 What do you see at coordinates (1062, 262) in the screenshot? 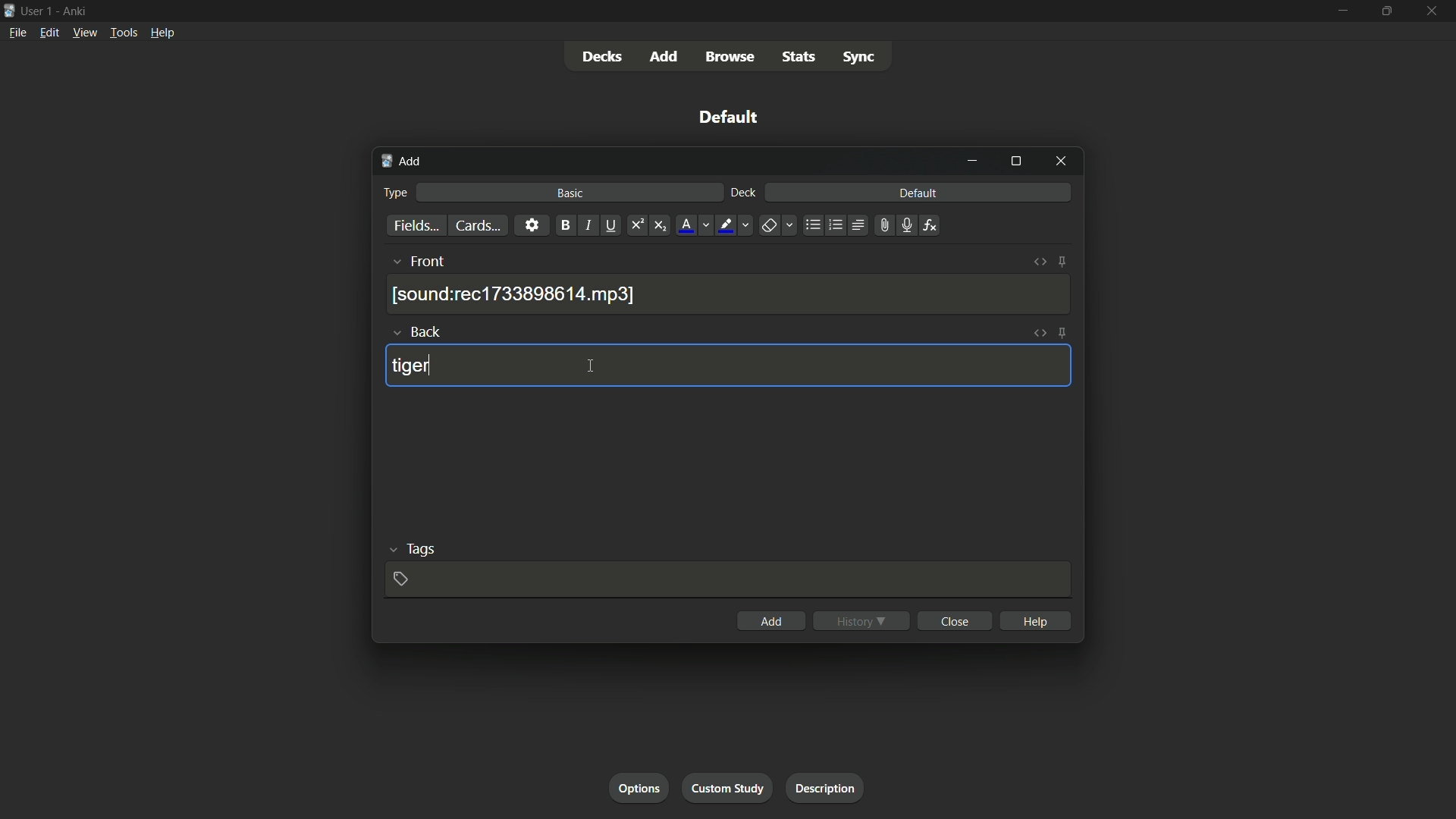
I see `toggle sticky` at bounding box center [1062, 262].